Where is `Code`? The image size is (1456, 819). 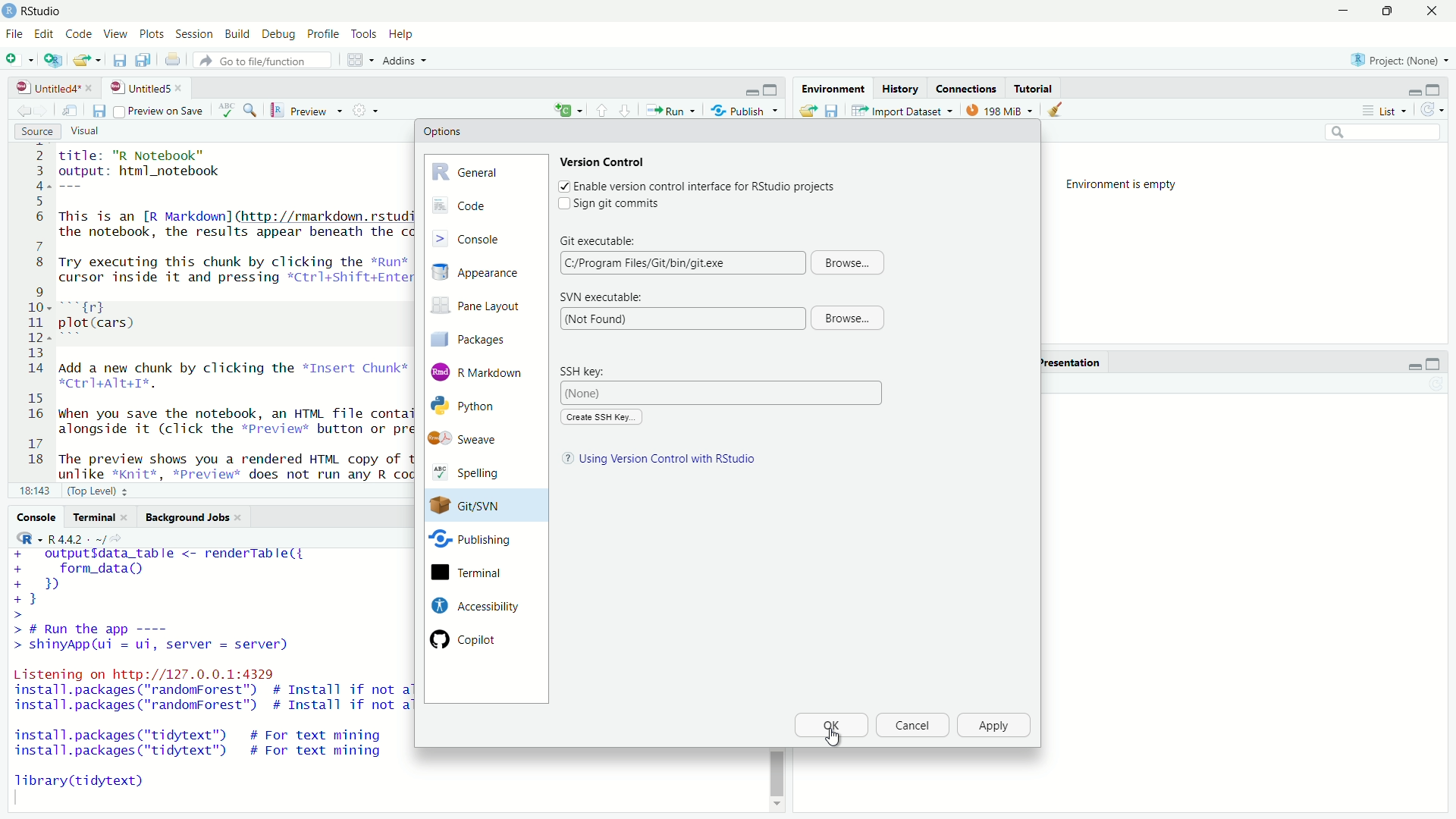 Code is located at coordinates (77, 35).